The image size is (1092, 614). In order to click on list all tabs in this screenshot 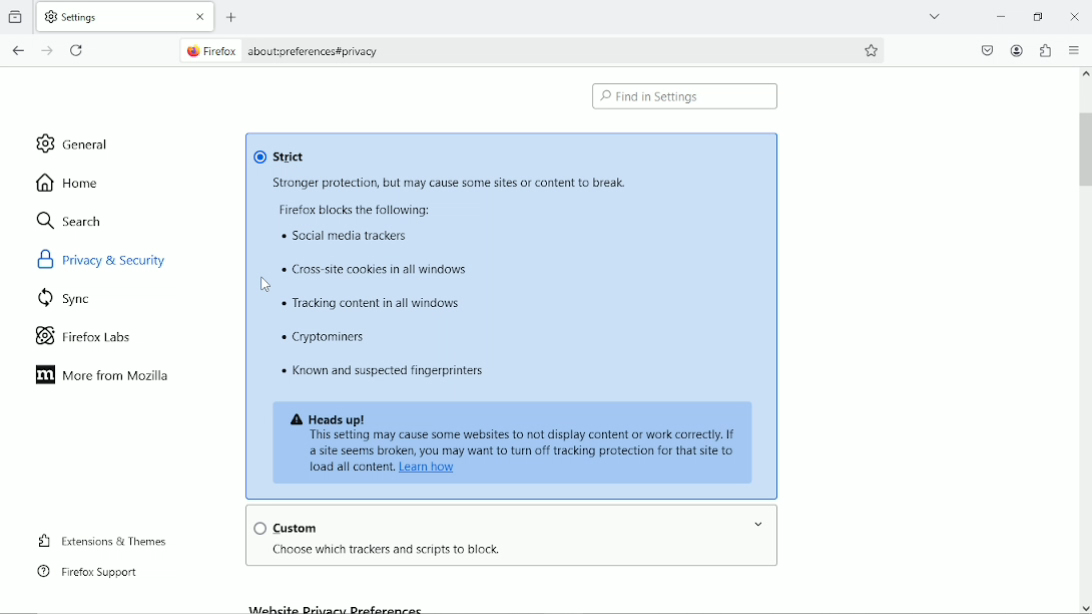, I will do `click(934, 15)`.